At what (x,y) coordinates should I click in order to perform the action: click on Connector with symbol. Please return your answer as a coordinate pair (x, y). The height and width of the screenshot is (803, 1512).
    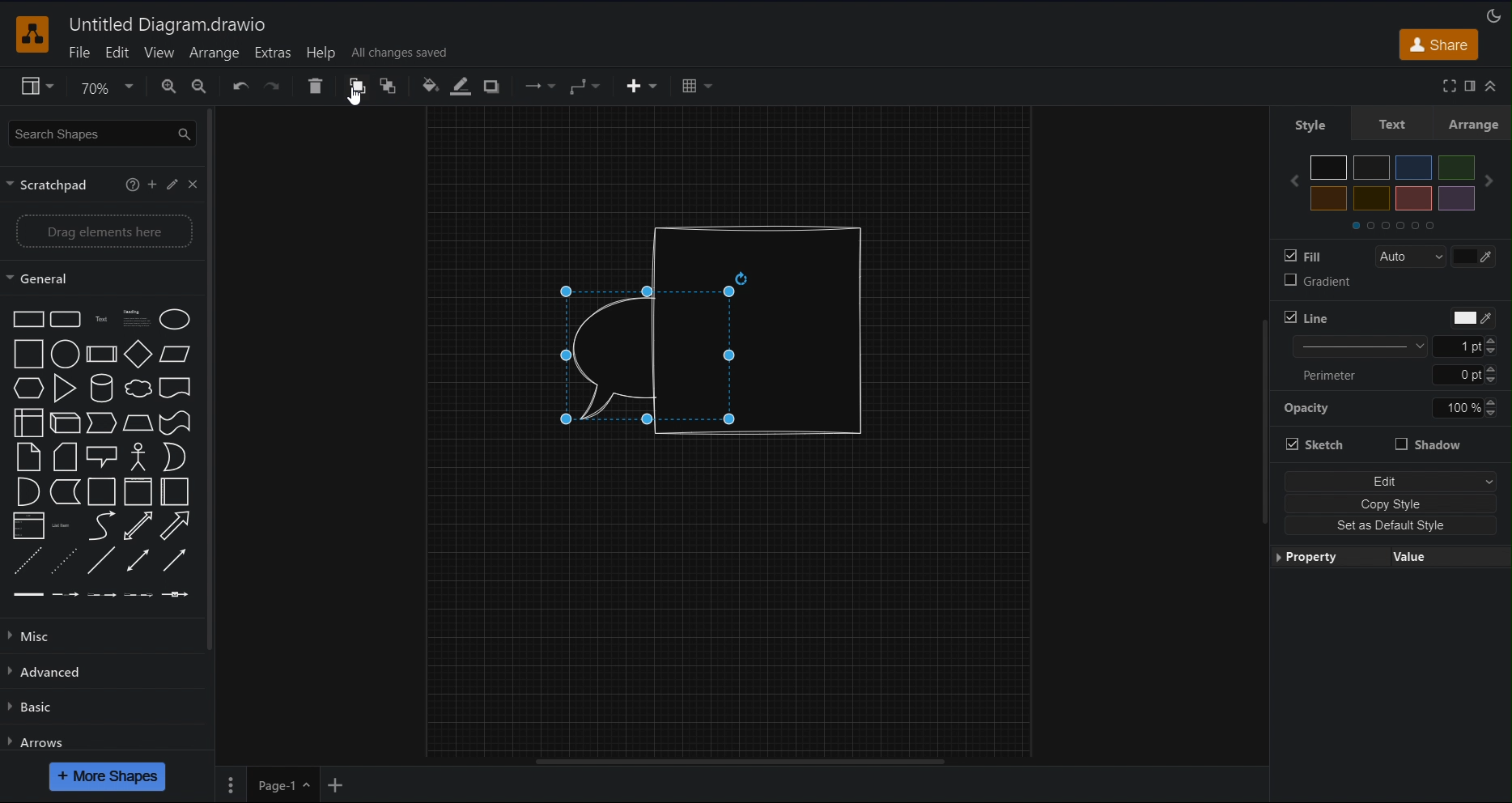
    Looking at the image, I should click on (176, 594).